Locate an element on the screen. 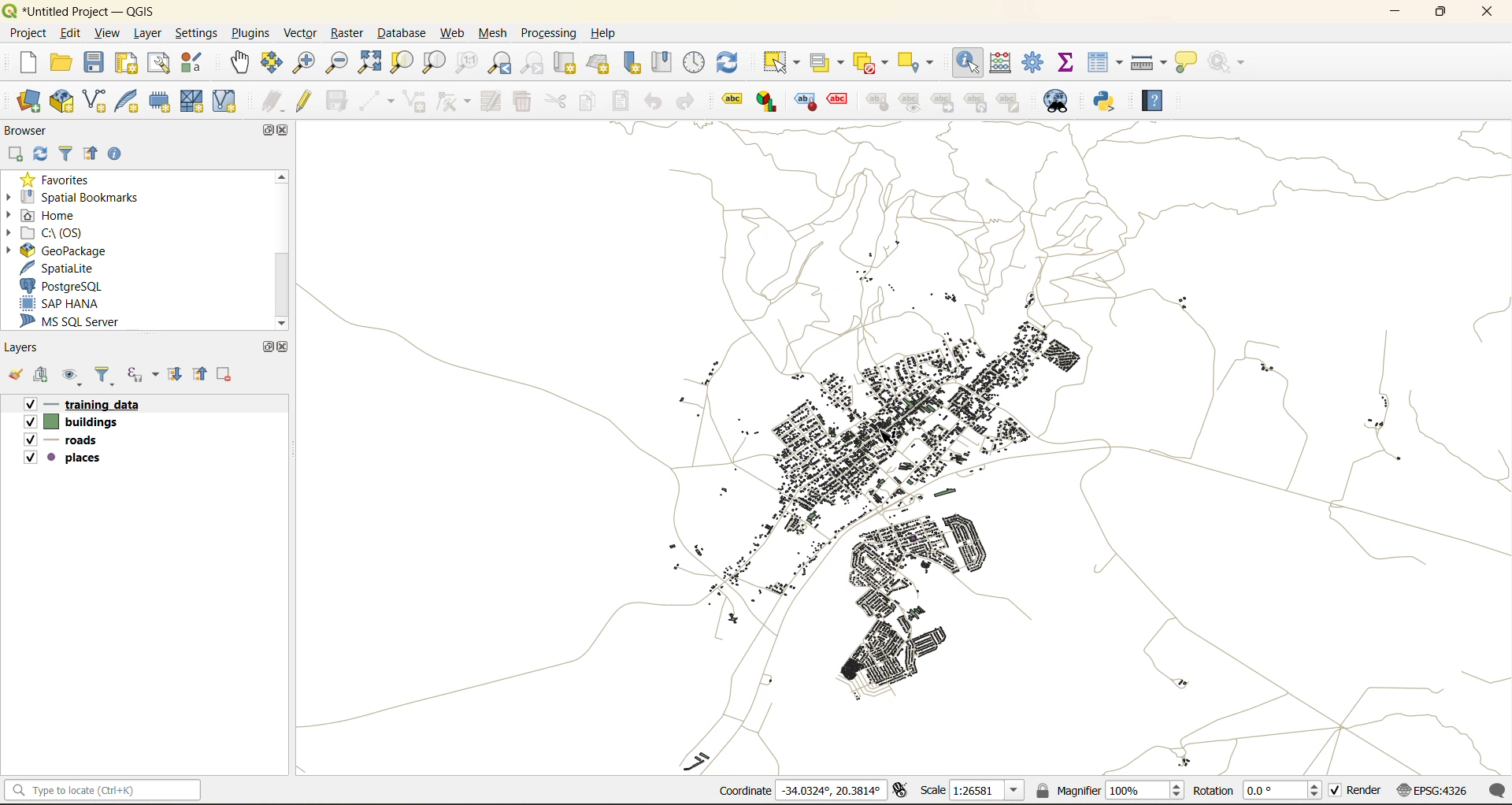 The width and height of the screenshot is (1512, 805). show layout is located at coordinates (160, 63).